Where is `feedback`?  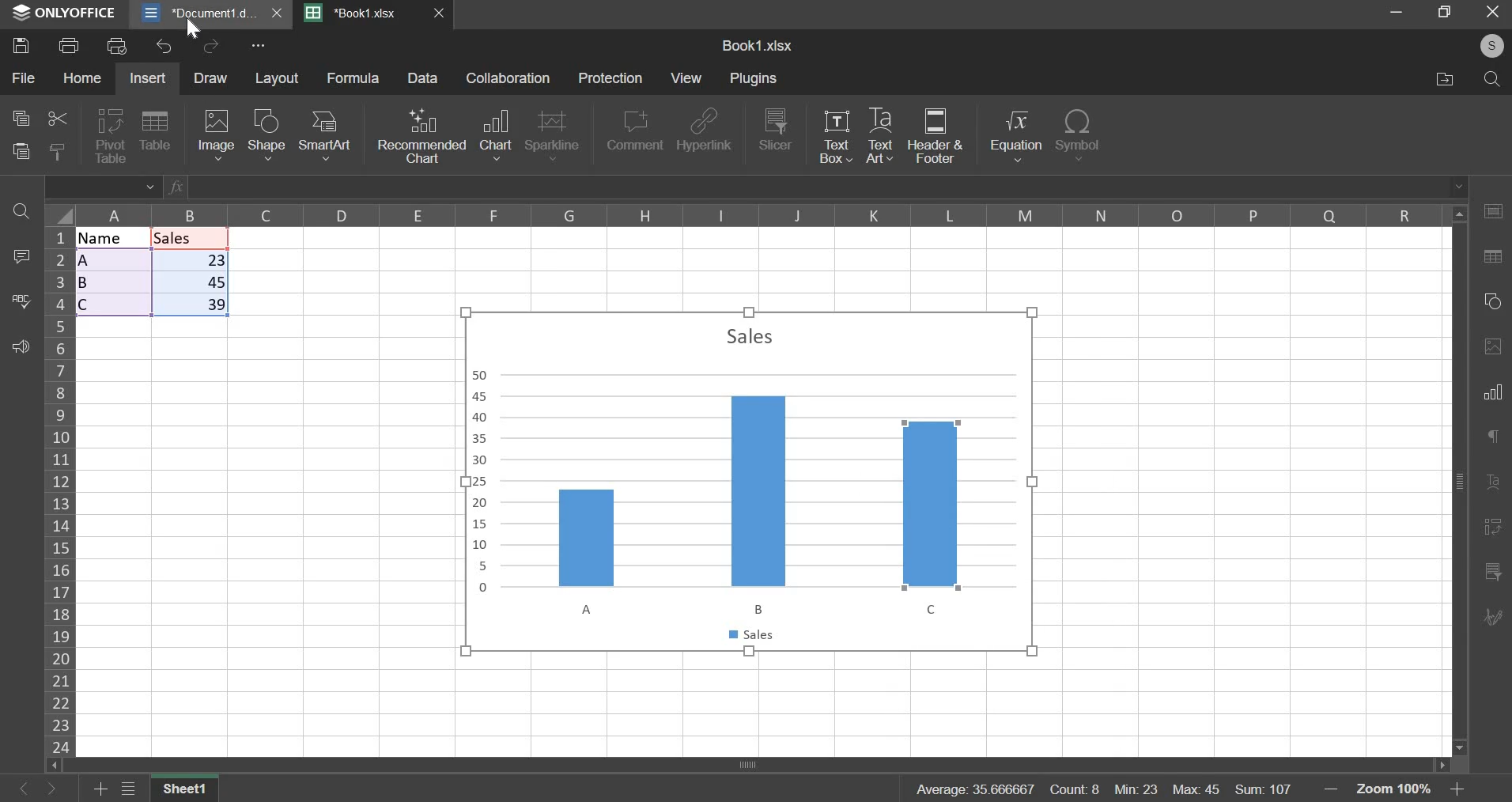 feedback is located at coordinates (20, 346).